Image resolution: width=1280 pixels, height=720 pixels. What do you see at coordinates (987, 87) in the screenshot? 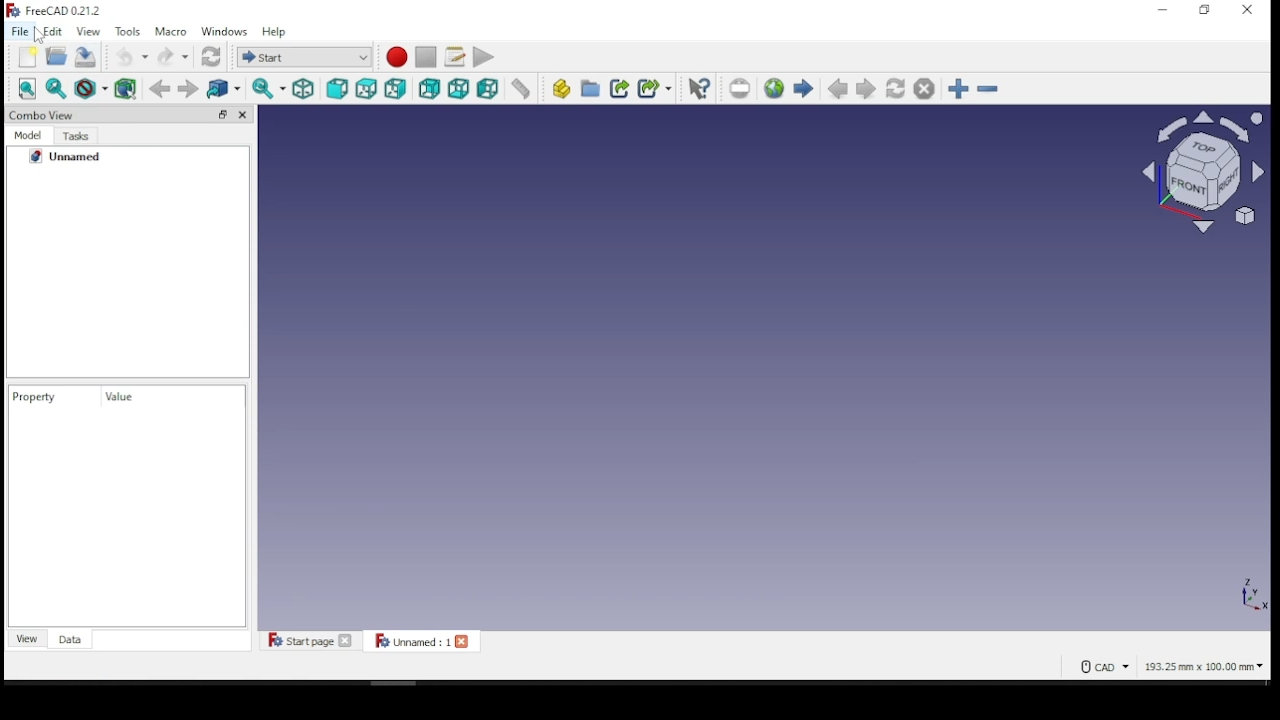
I see `zoom out` at bounding box center [987, 87].